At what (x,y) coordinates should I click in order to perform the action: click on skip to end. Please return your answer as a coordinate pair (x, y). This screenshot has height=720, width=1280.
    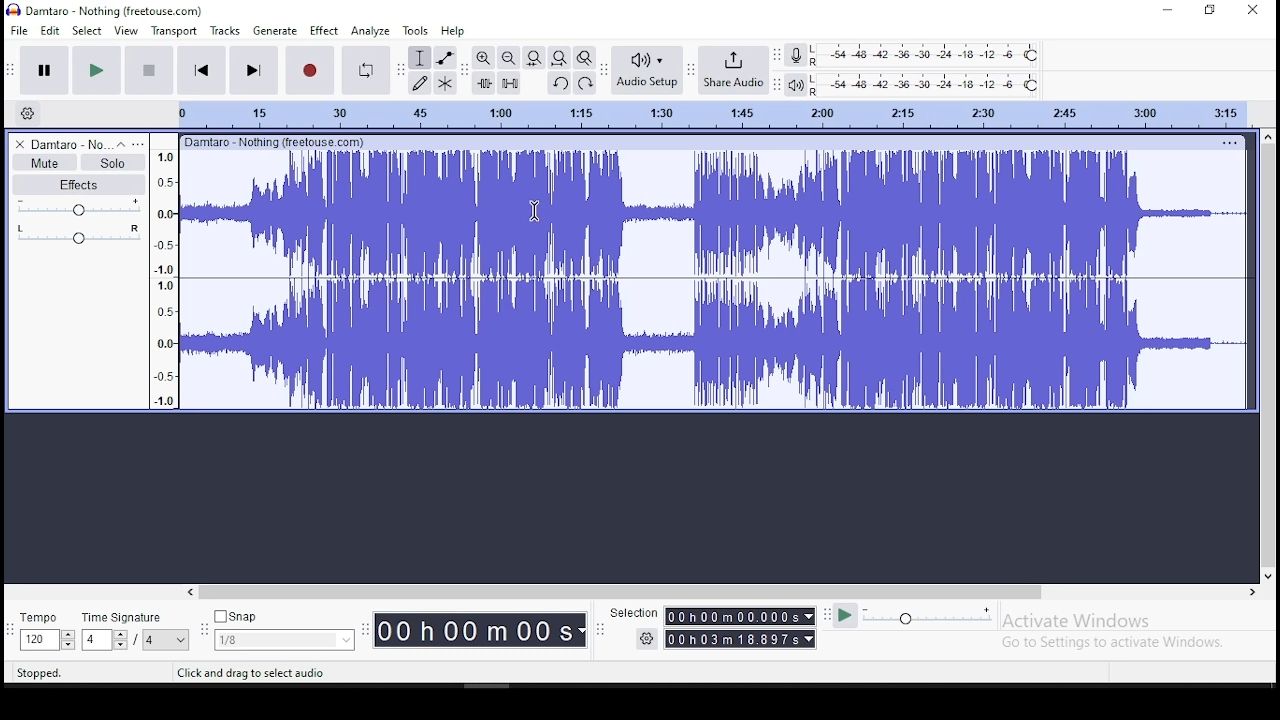
    Looking at the image, I should click on (253, 71).